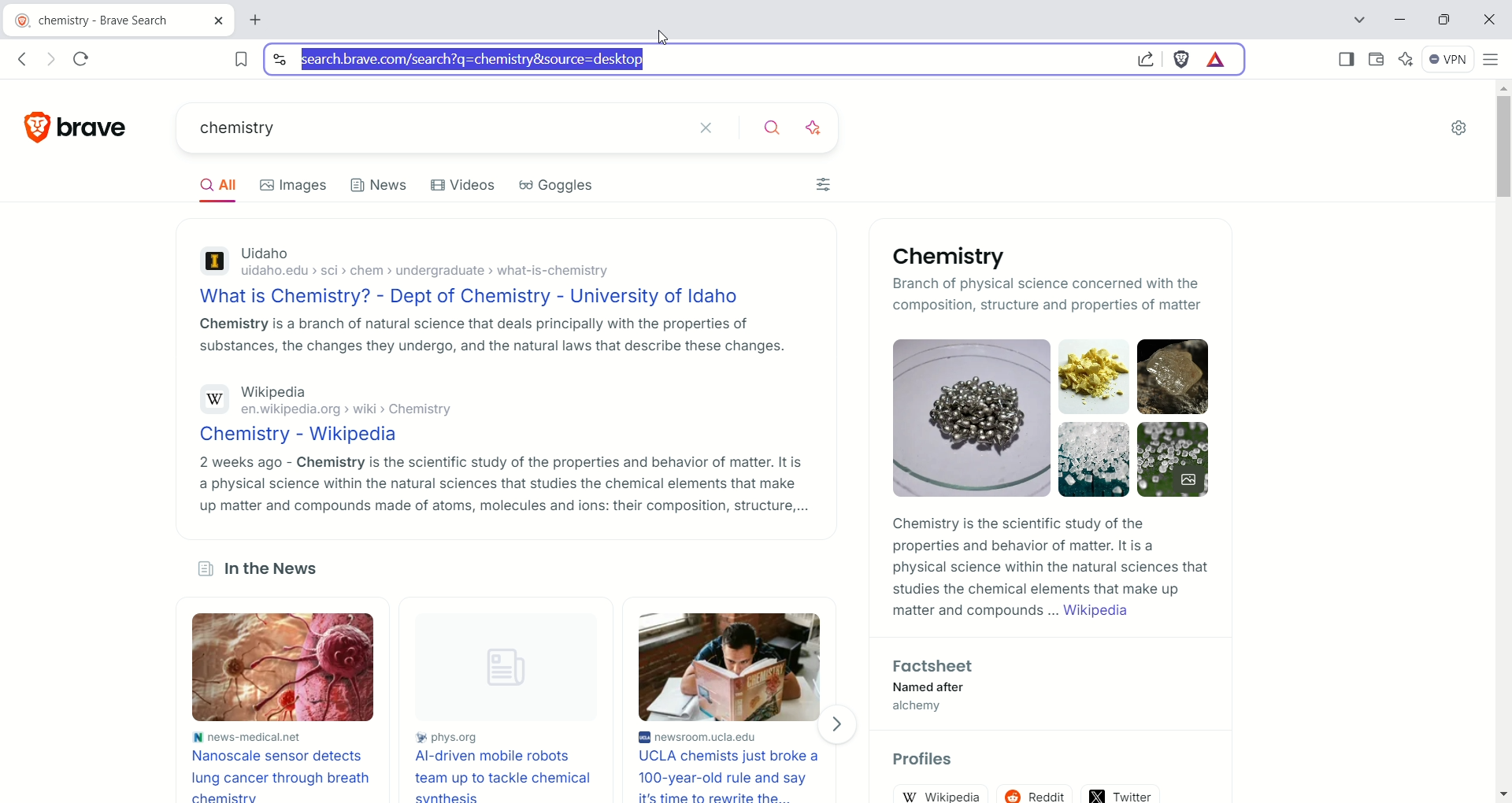  What do you see at coordinates (1501, 442) in the screenshot?
I see `vertical scroll bar` at bounding box center [1501, 442].